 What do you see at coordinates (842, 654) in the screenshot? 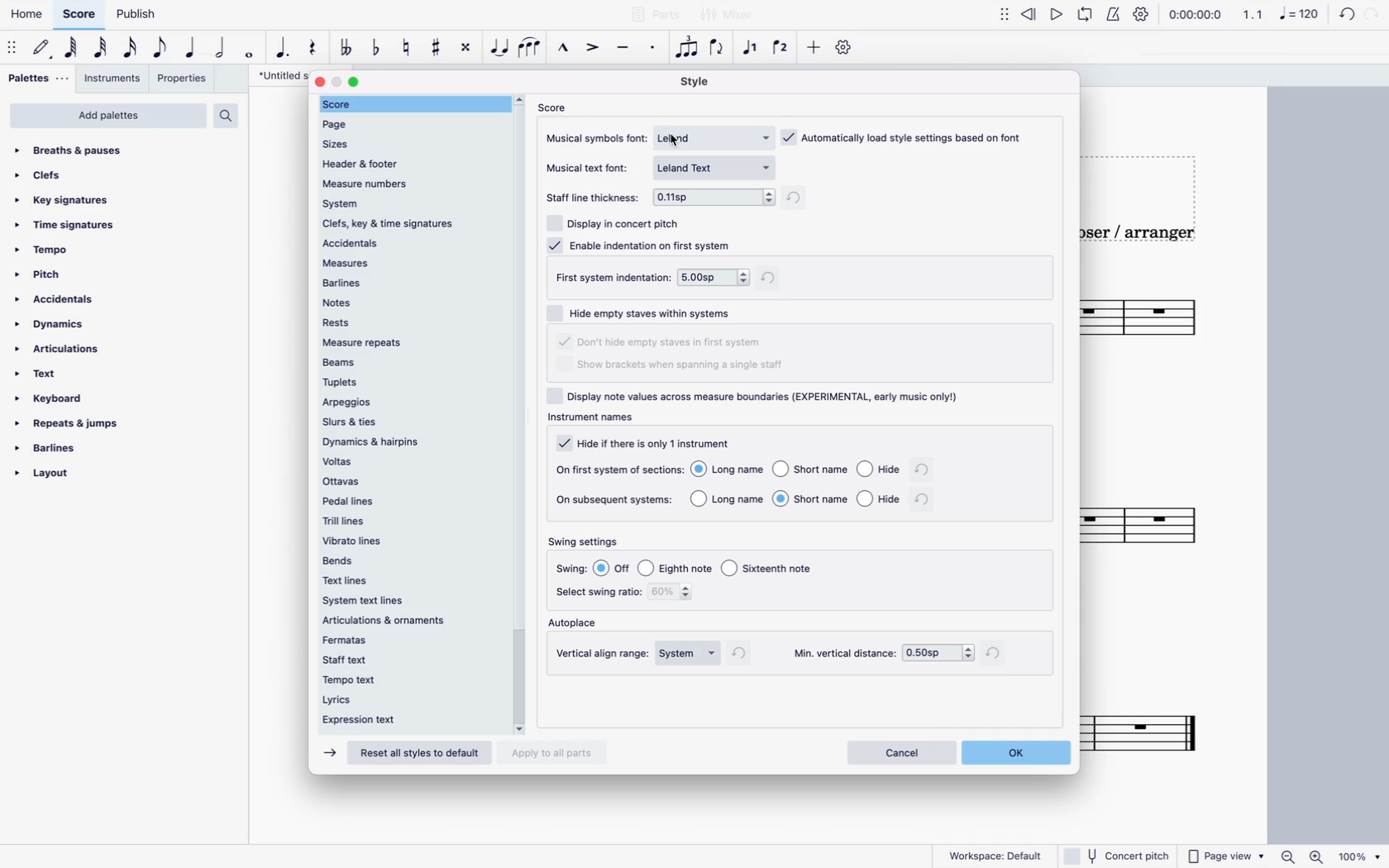
I see `min vertical distance` at bounding box center [842, 654].